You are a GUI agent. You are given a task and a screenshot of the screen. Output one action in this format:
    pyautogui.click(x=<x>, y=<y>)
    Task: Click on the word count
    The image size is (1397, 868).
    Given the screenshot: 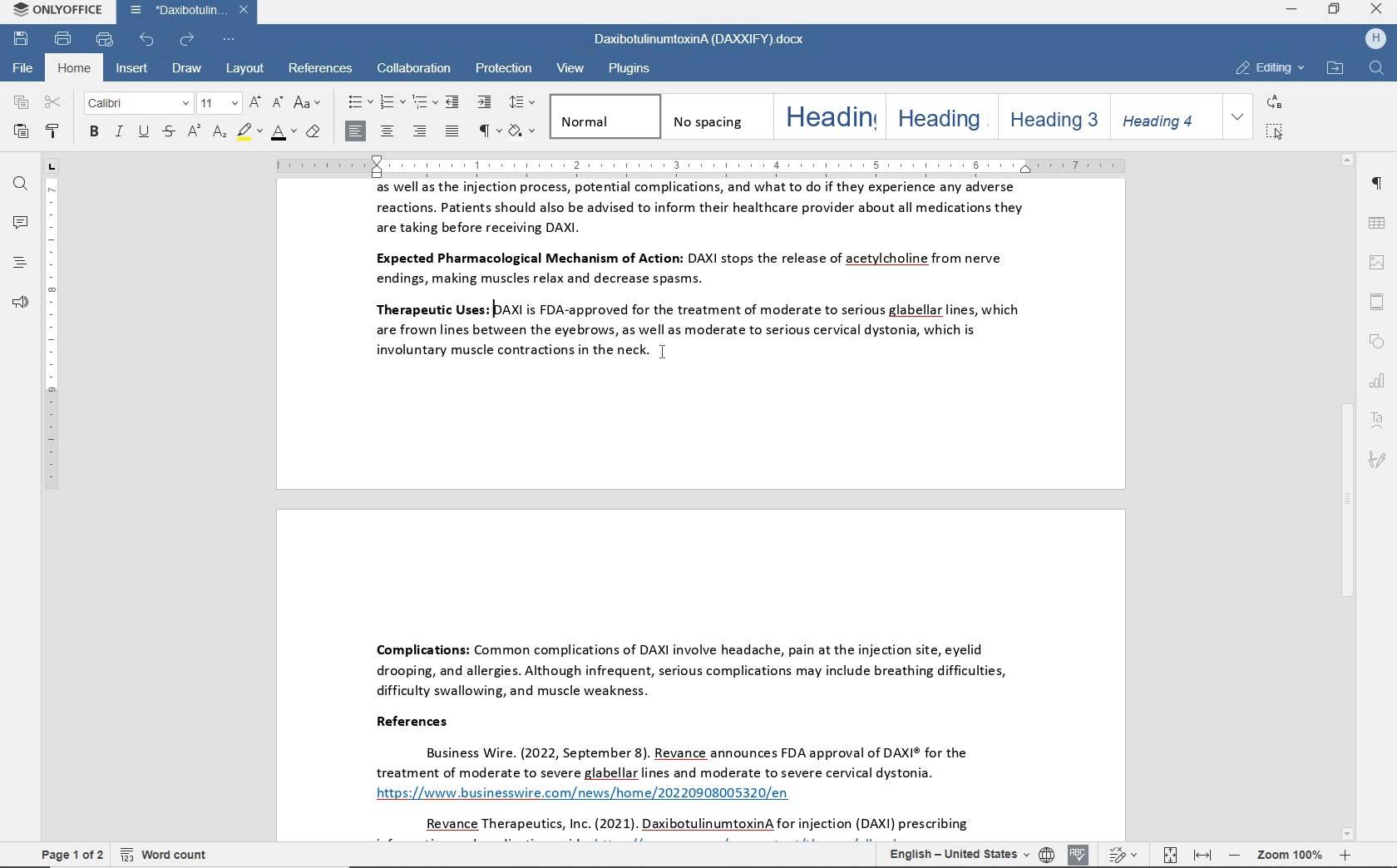 What is the action you would take?
    pyautogui.click(x=165, y=852)
    